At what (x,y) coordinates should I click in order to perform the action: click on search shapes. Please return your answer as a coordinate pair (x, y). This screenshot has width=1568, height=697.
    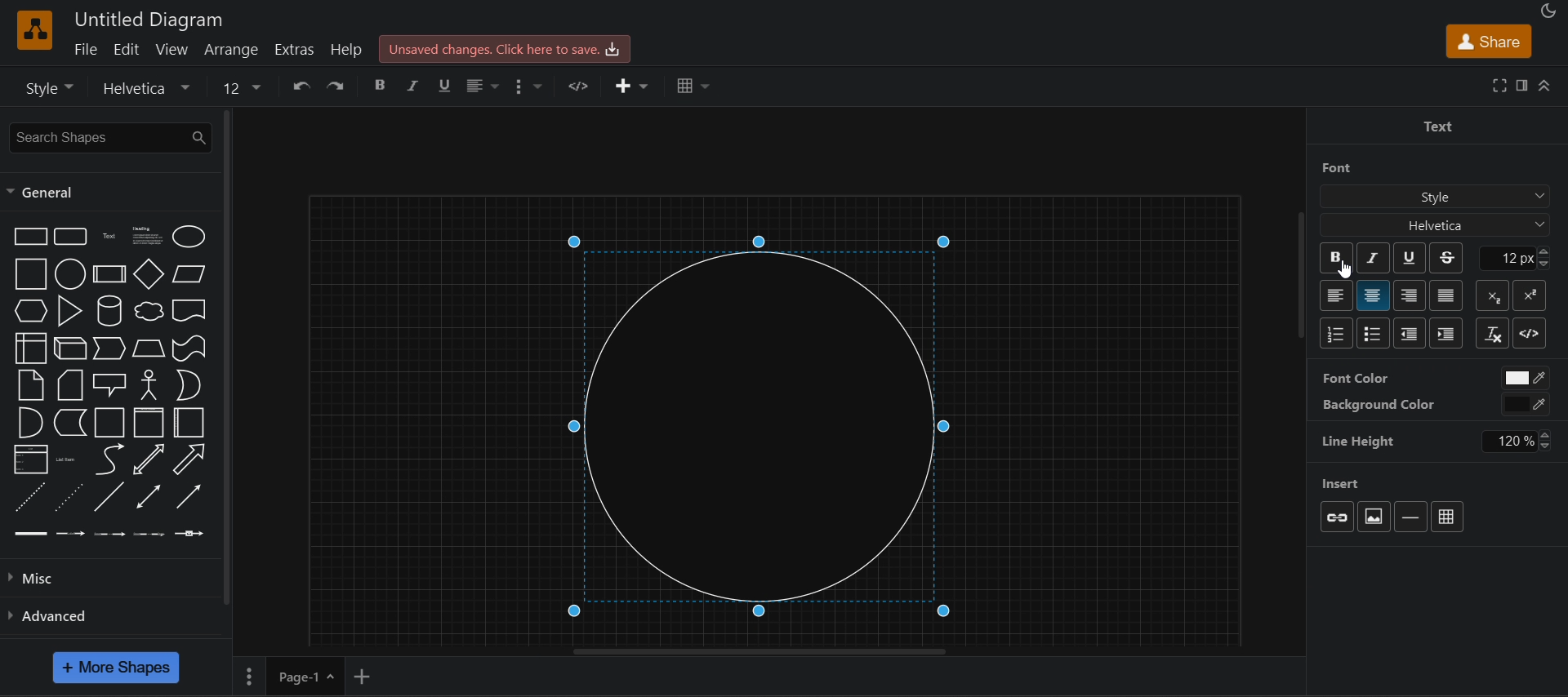
    Looking at the image, I should click on (105, 136).